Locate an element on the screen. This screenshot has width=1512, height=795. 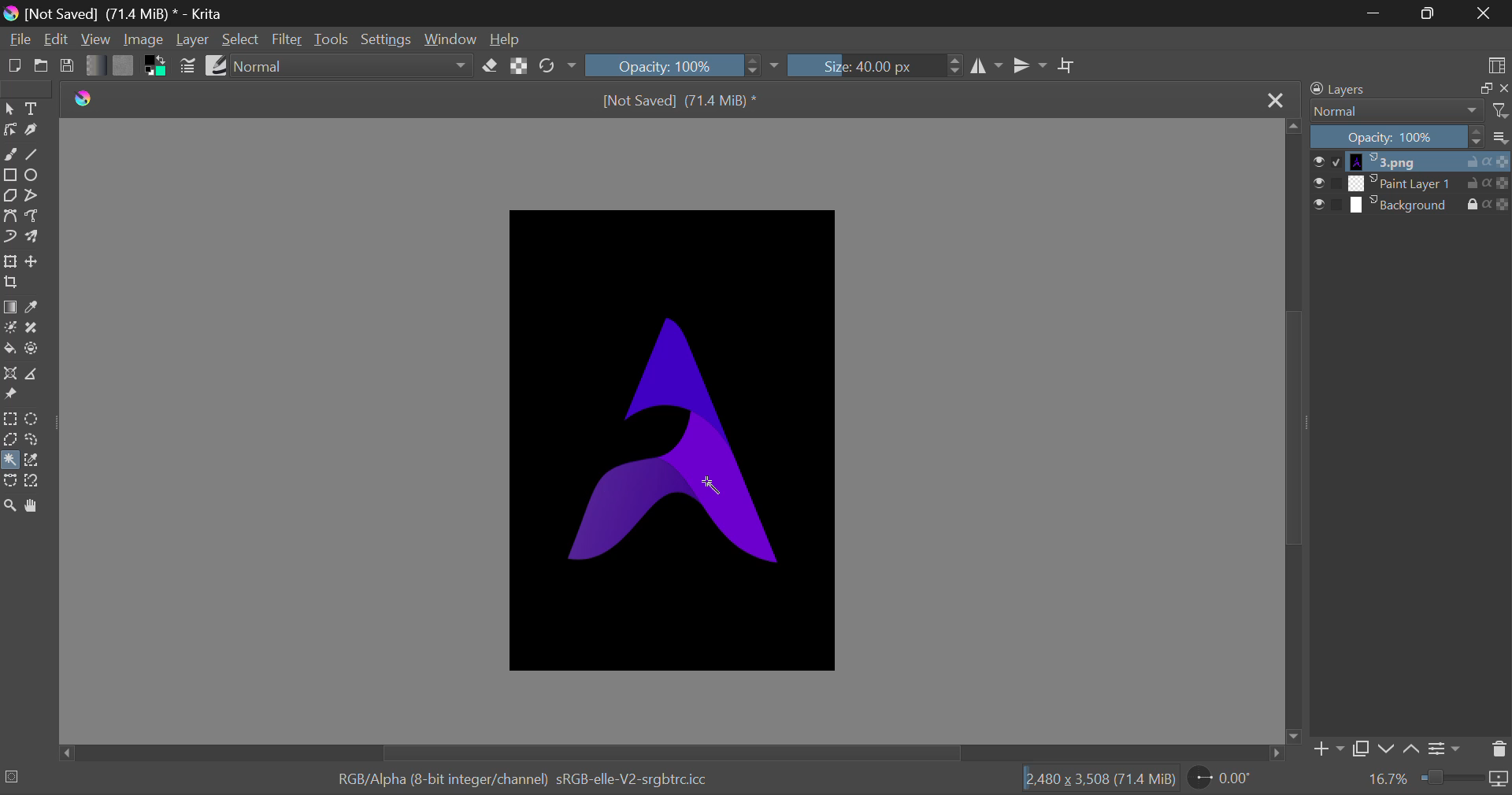
Minimize is located at coordinates (1430, 13).